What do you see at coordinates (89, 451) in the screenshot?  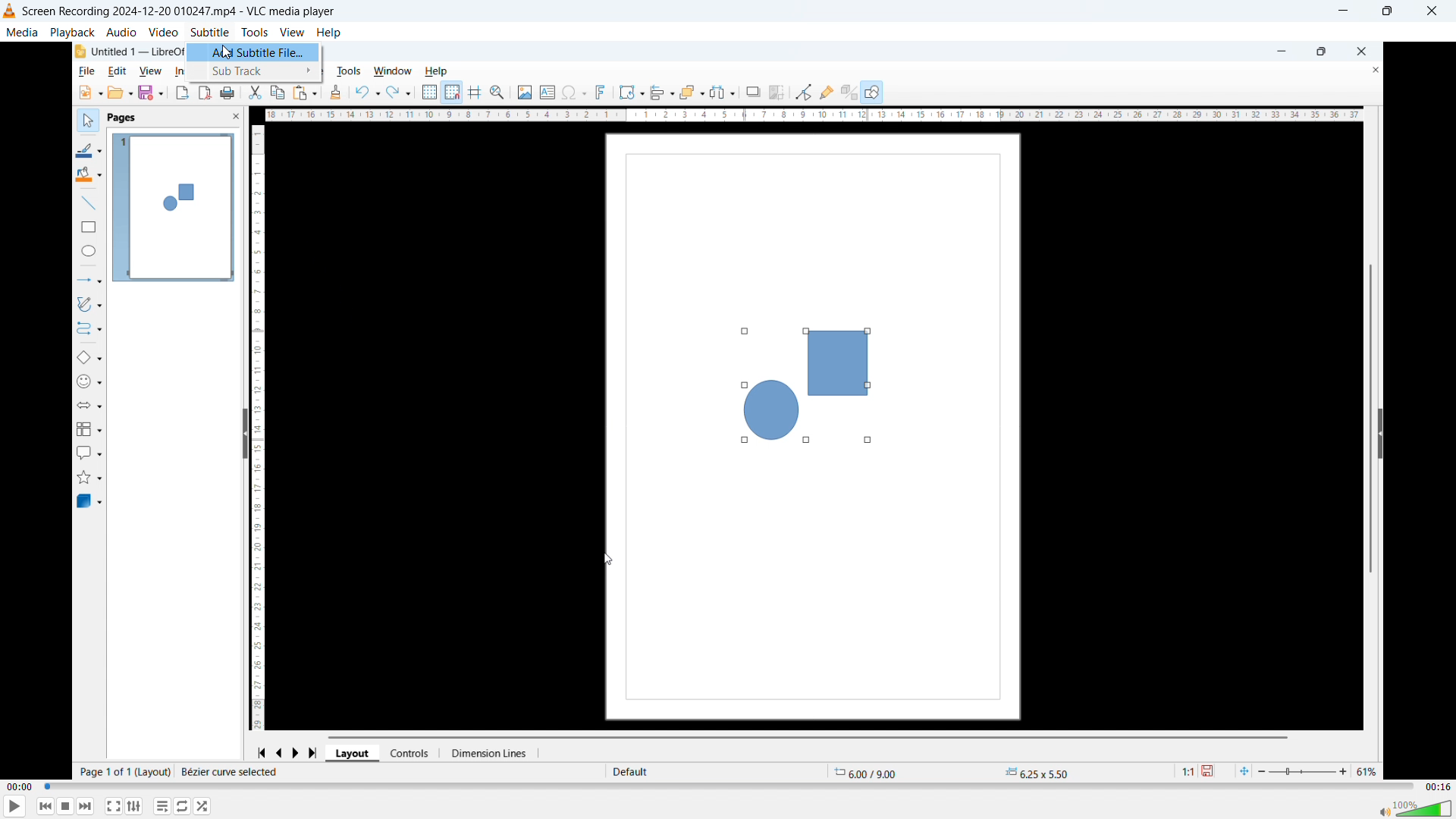 I see `callout shape` at bounding box center [89, 451].